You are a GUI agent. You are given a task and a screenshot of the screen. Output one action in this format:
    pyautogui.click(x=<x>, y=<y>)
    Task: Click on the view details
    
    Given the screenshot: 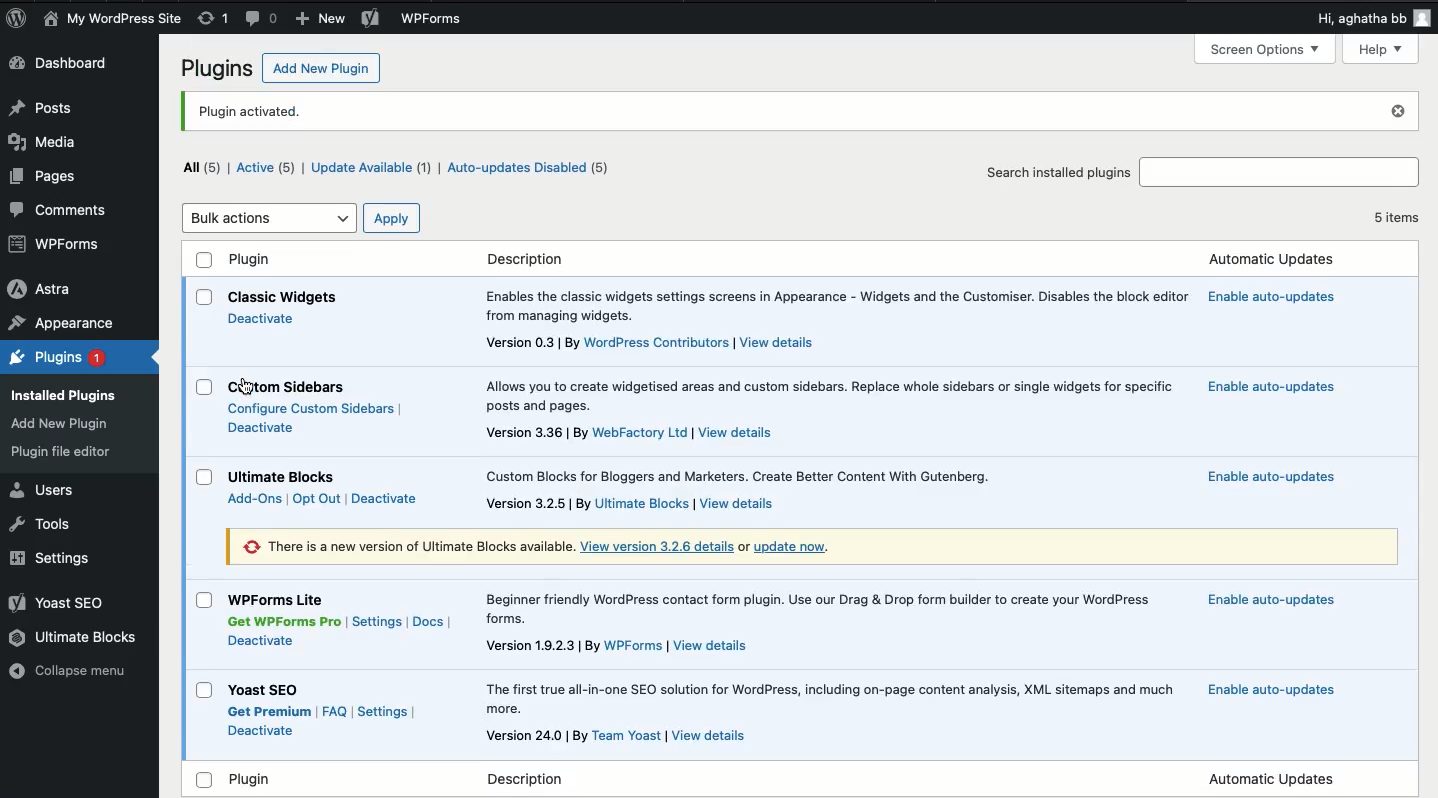 What is the action you would take?
    pyautogui.click(x=713, y=645)
    